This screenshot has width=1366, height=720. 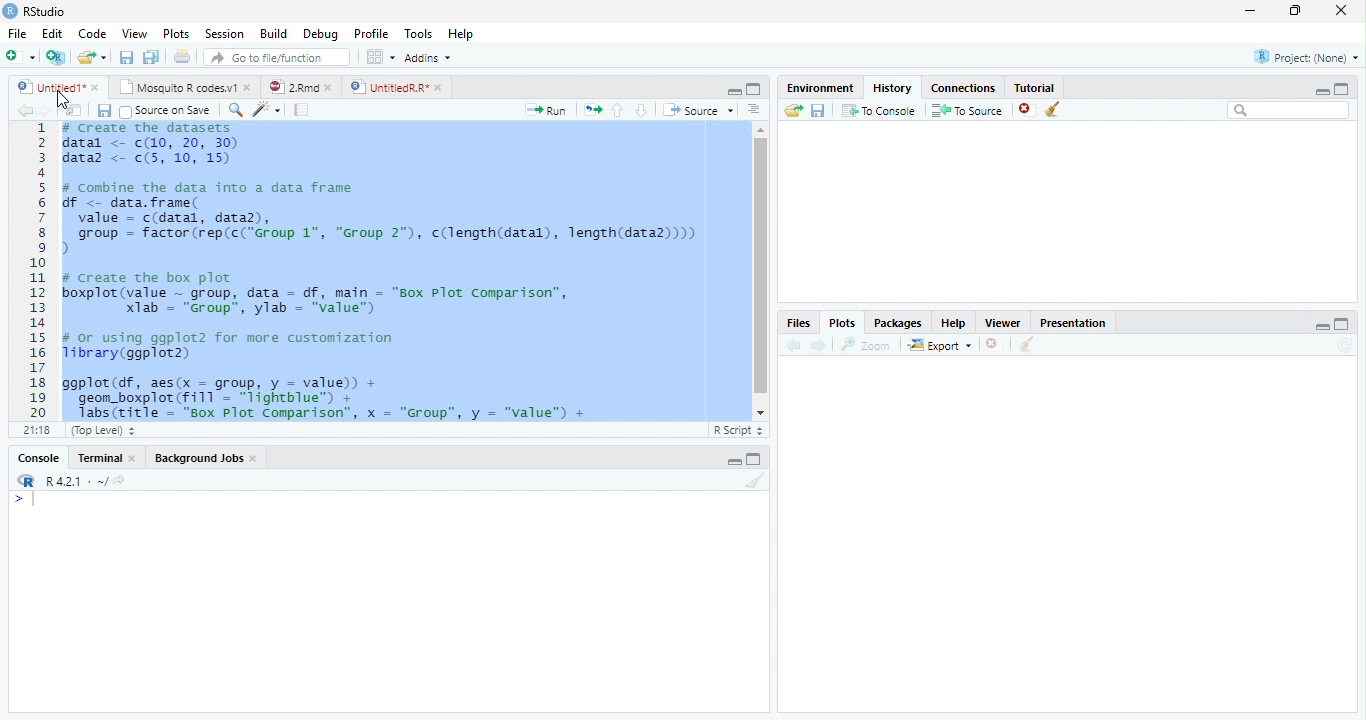 What do you see at coordinates (103, 57) in the screenshot?
I see `Open recent files` at bounding box center [103, 57].